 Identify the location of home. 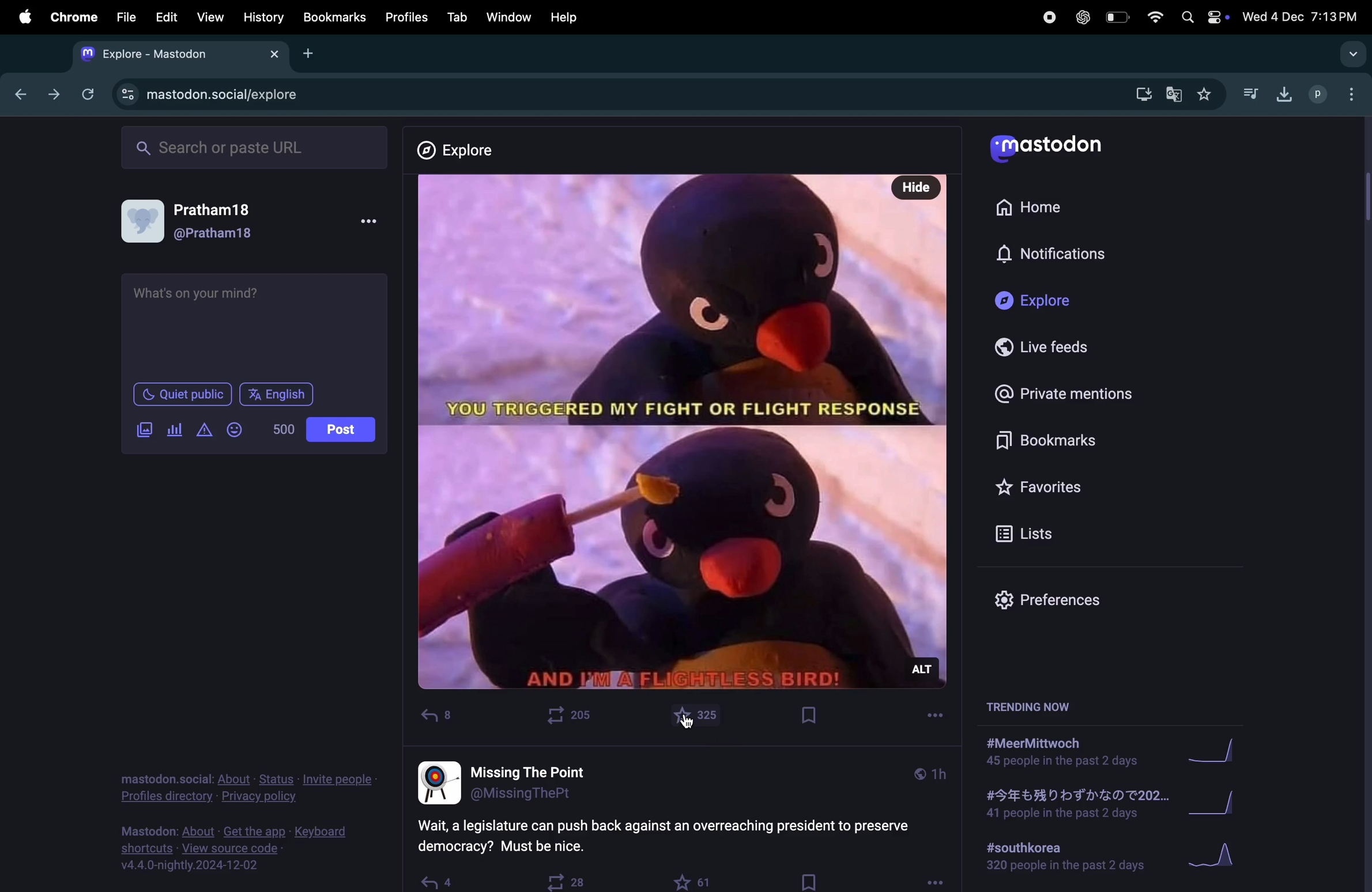
(1030, 207).